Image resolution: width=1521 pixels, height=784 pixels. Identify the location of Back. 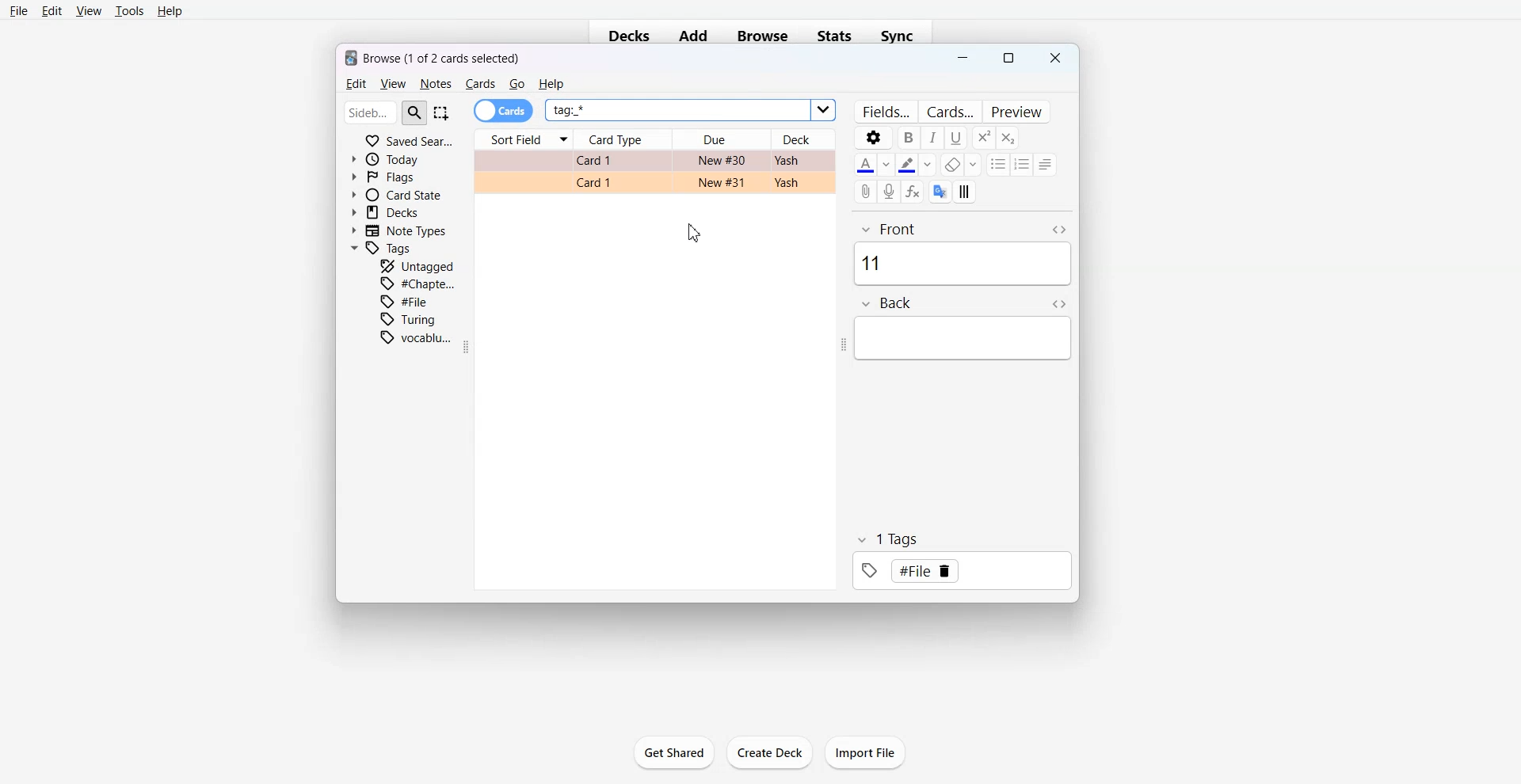
(965, 327).